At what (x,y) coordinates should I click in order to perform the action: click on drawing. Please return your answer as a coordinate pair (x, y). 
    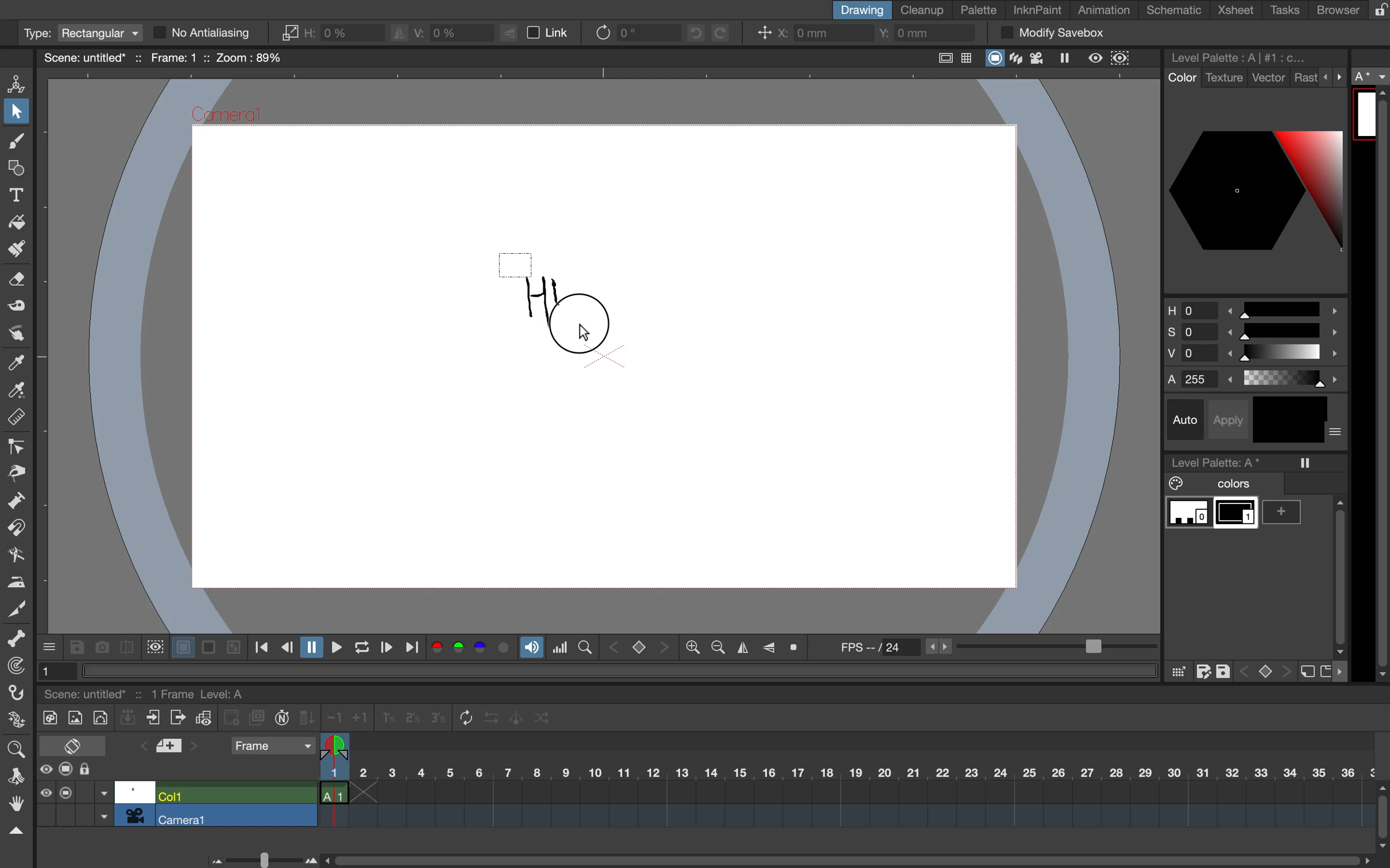
    Looking at the image, I should click on (860, 10).